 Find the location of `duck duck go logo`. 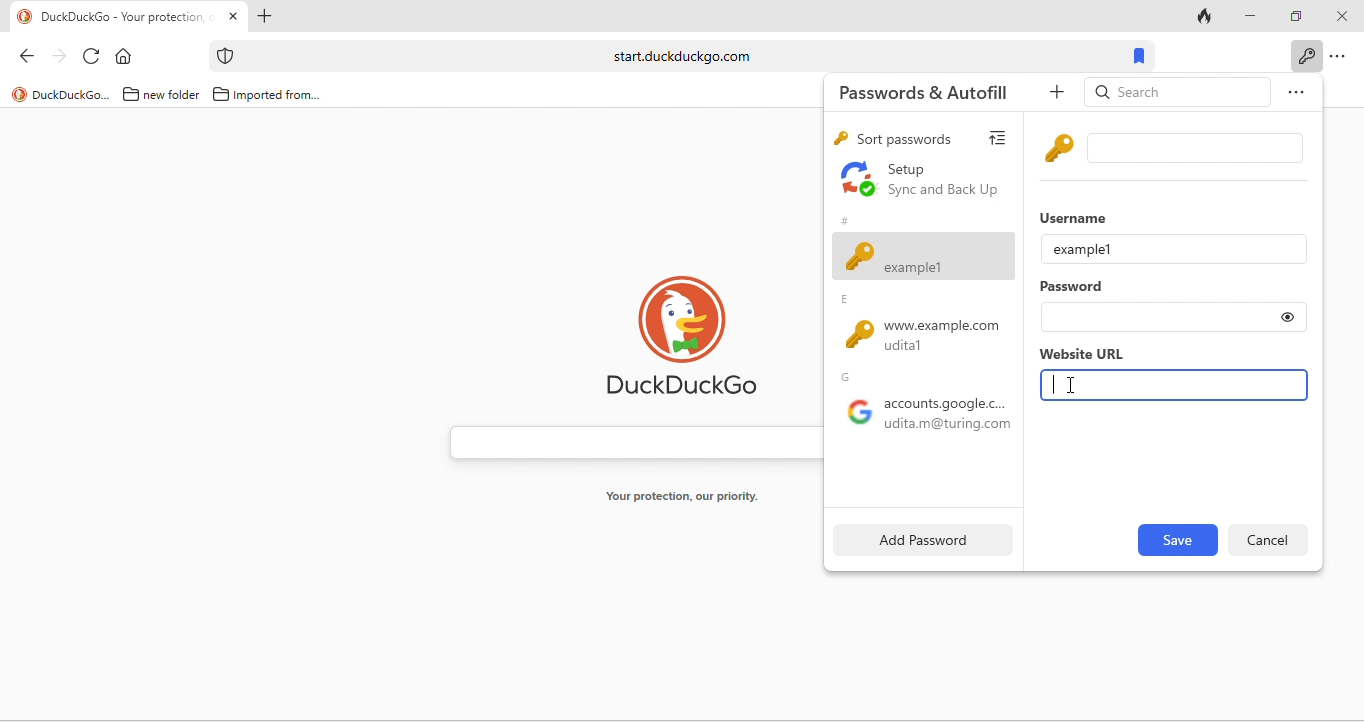

duck duck go logo is located at coordinates (683, 333).